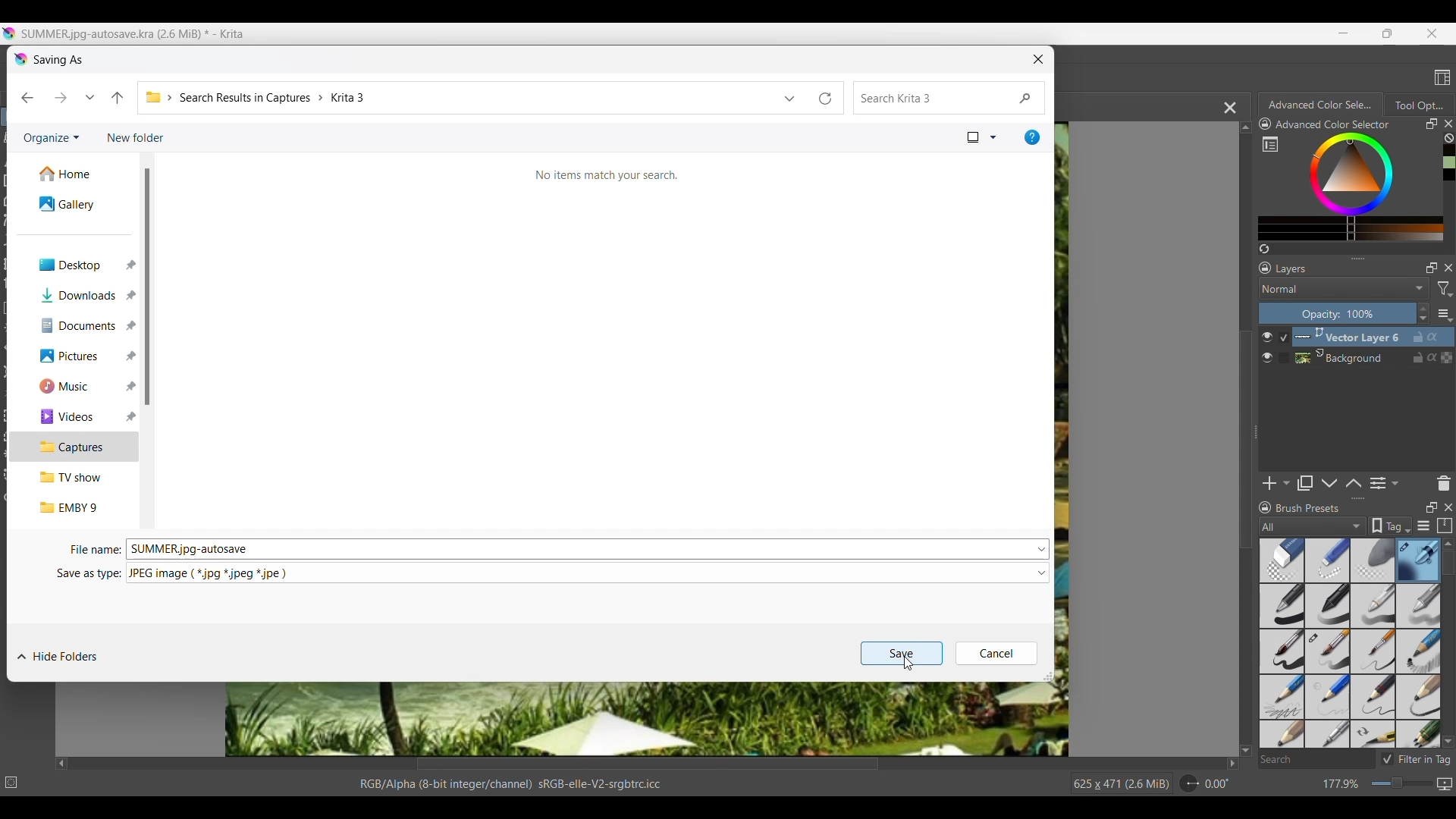  Describe the element at coordinates (75, 326) in the screenshot. I see `Documents folder` at that location.